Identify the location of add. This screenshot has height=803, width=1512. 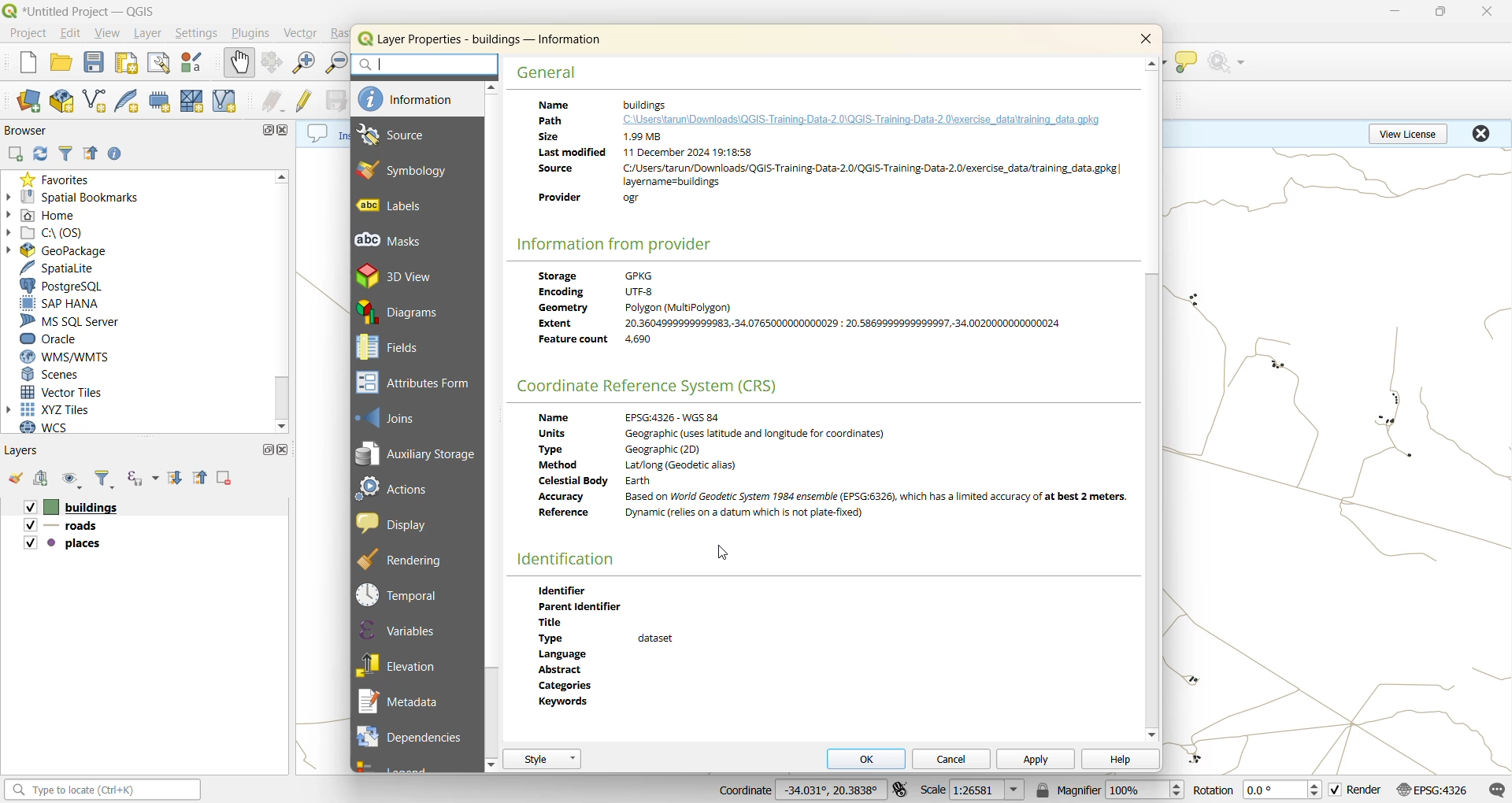
(39, 479).